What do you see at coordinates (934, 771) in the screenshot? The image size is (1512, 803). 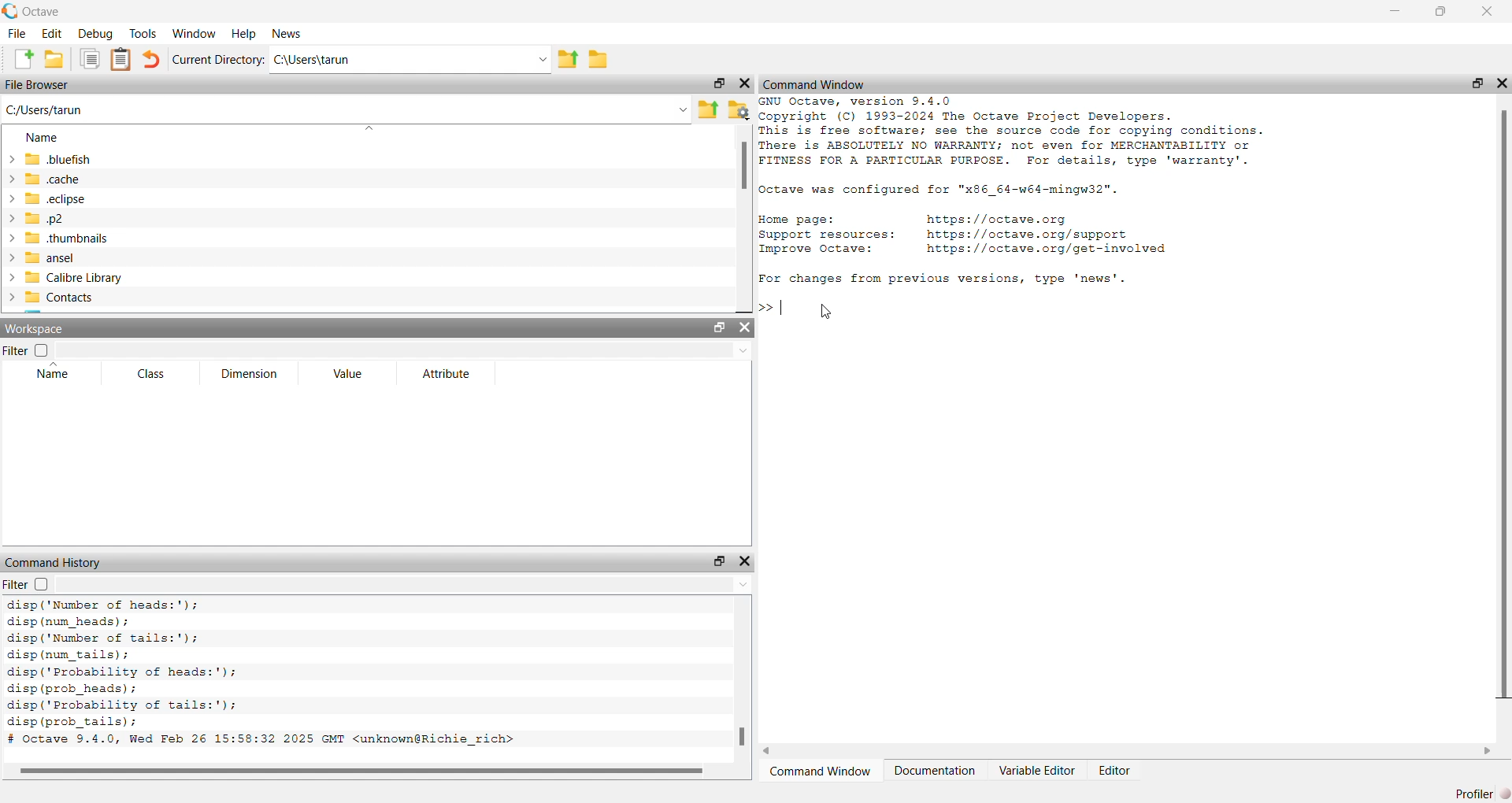 I see `Documentation` at bounding box center [934, 771].